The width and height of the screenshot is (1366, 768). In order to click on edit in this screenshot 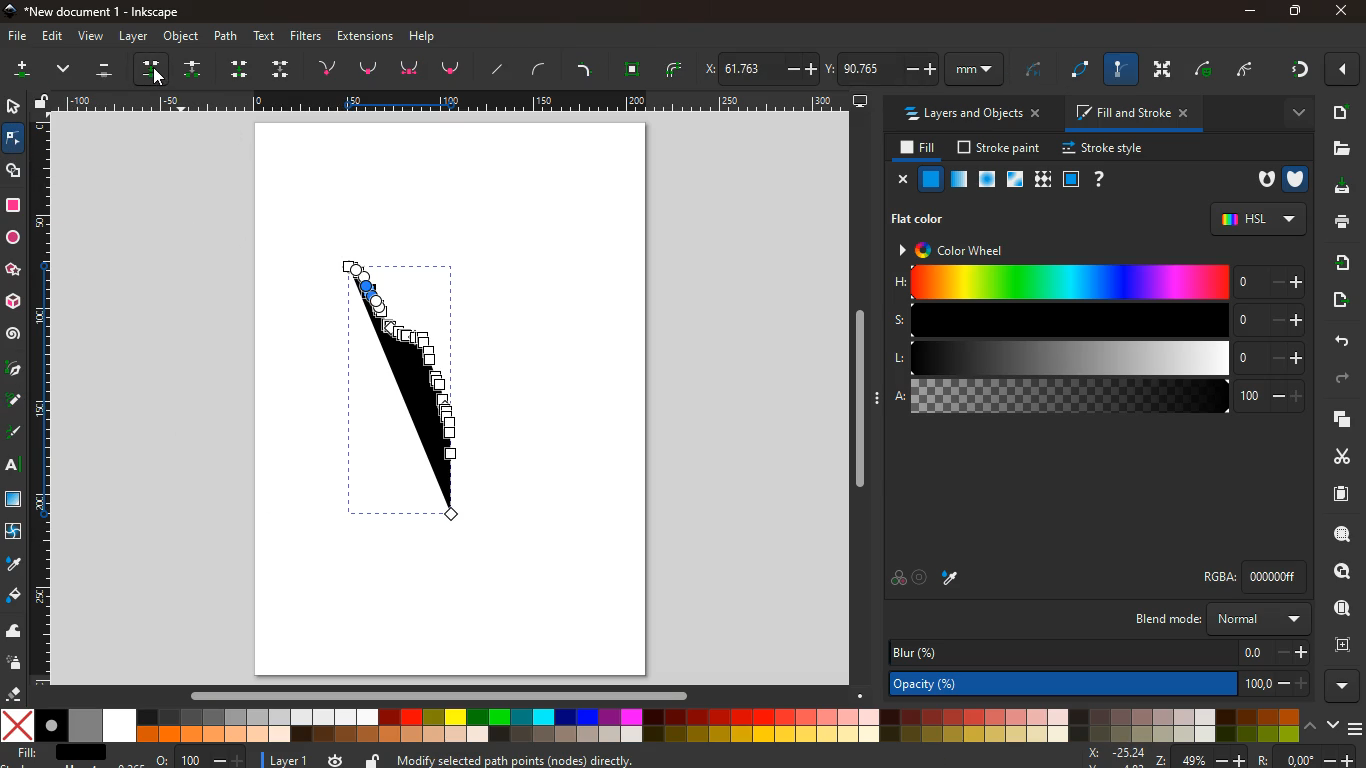, I will do `click(51, 37)`.